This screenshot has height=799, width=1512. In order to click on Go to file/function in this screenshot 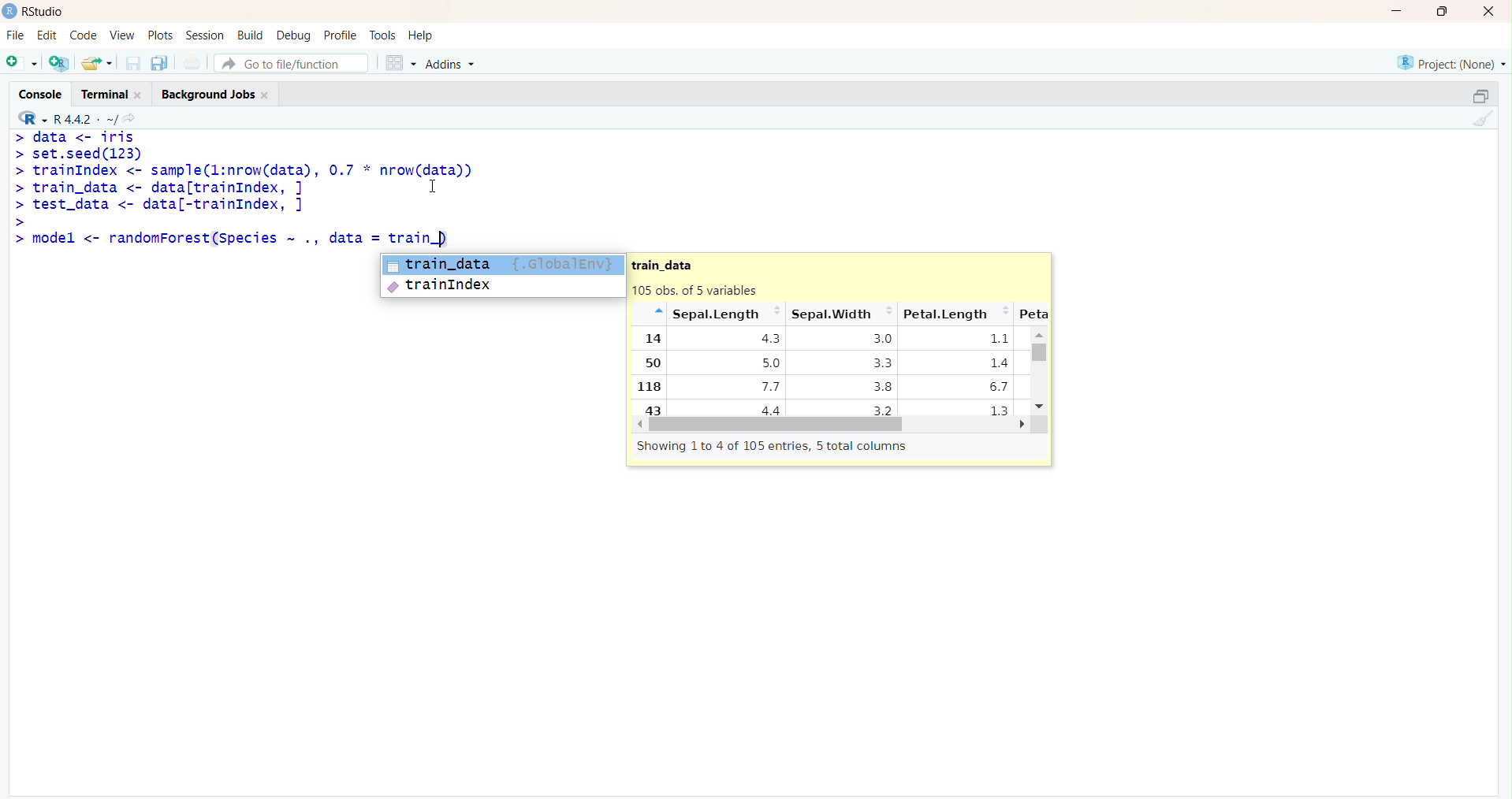, I will do `click(290, 61)`.